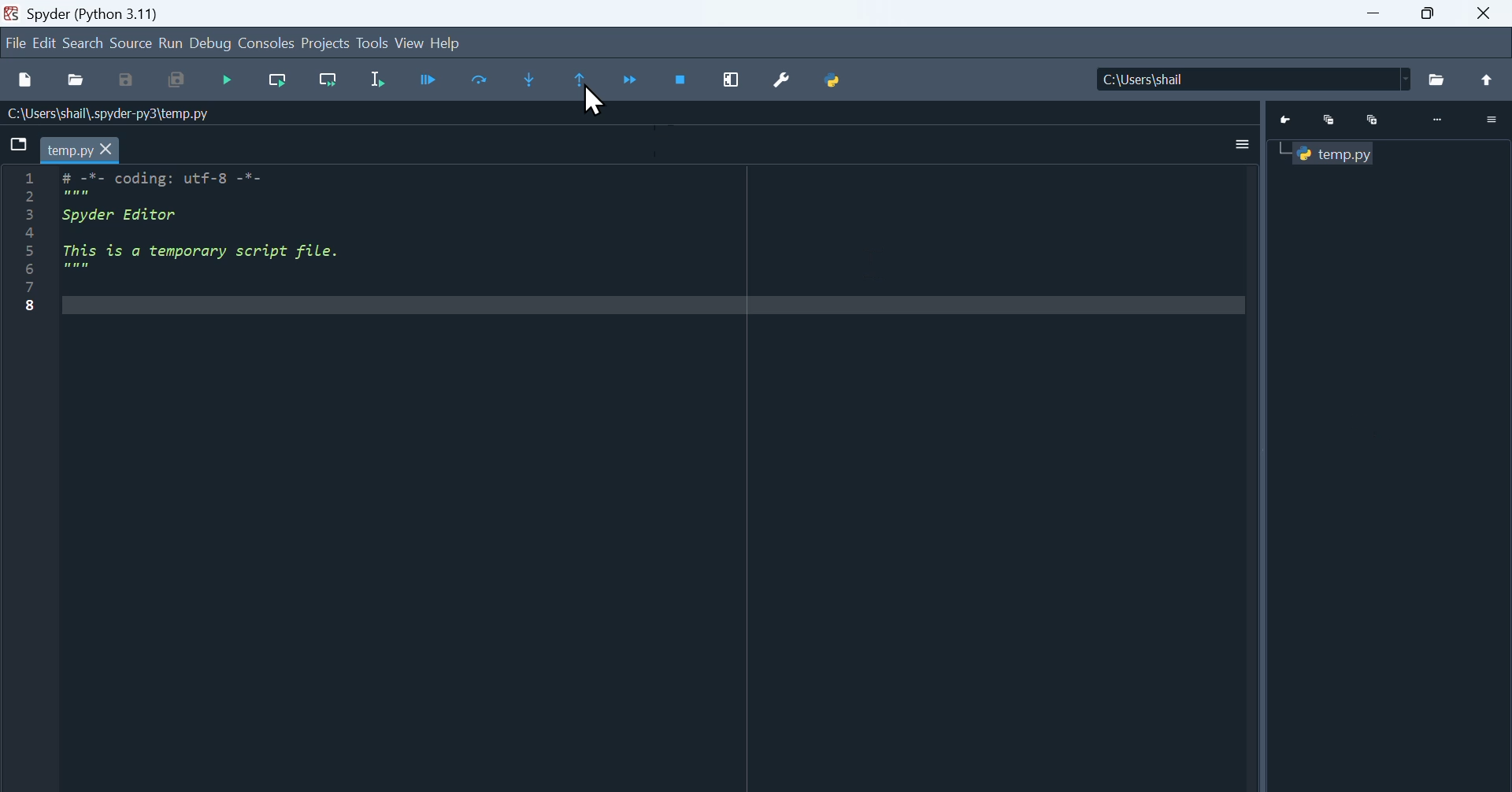  I want to click on Step in to function, so click(530, 80).